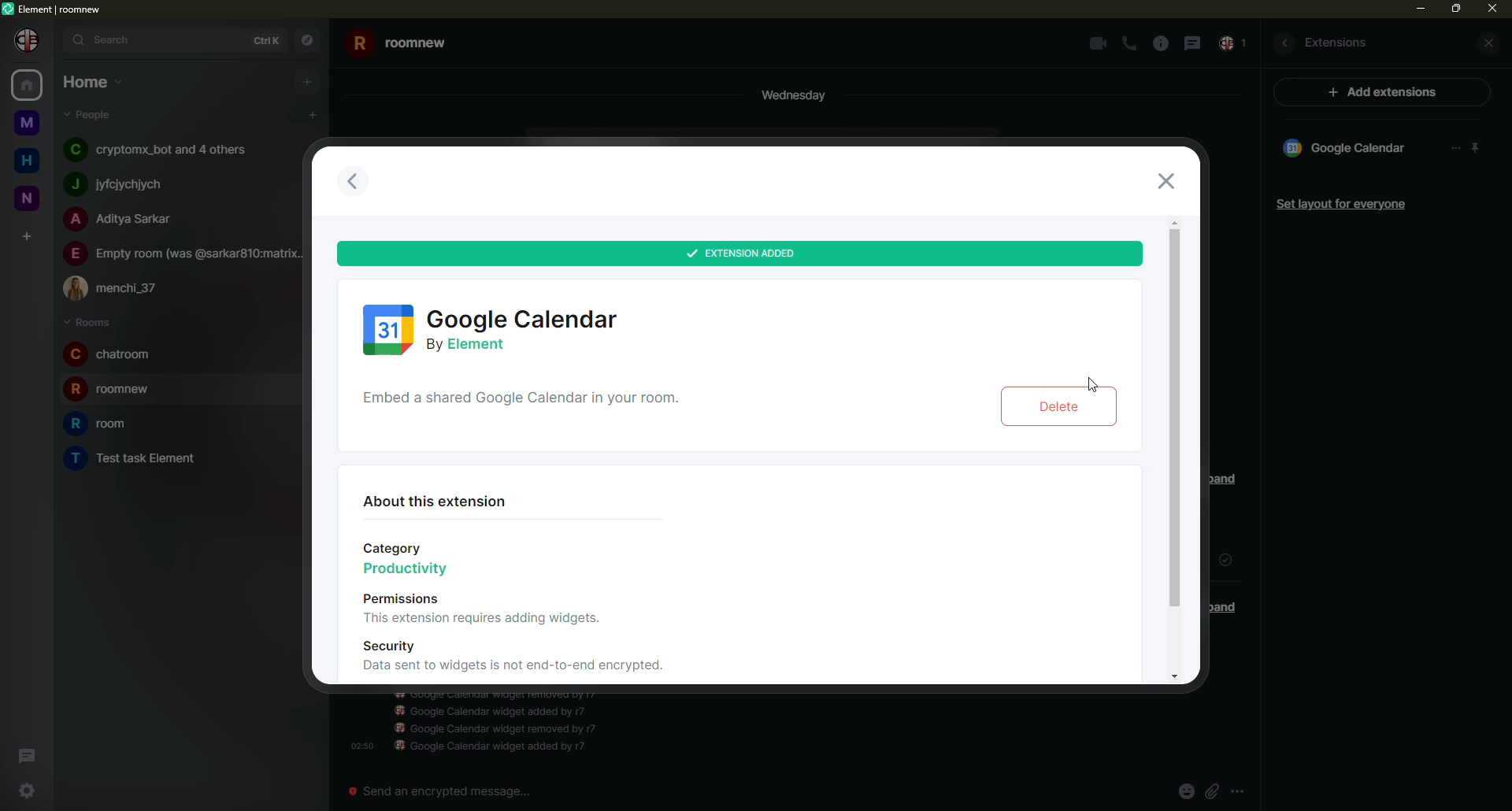 The height and width of the screenshot is (811, 1512). Describe the element at coordinates (125, 220) in the screenshot. I see `people` at that location.